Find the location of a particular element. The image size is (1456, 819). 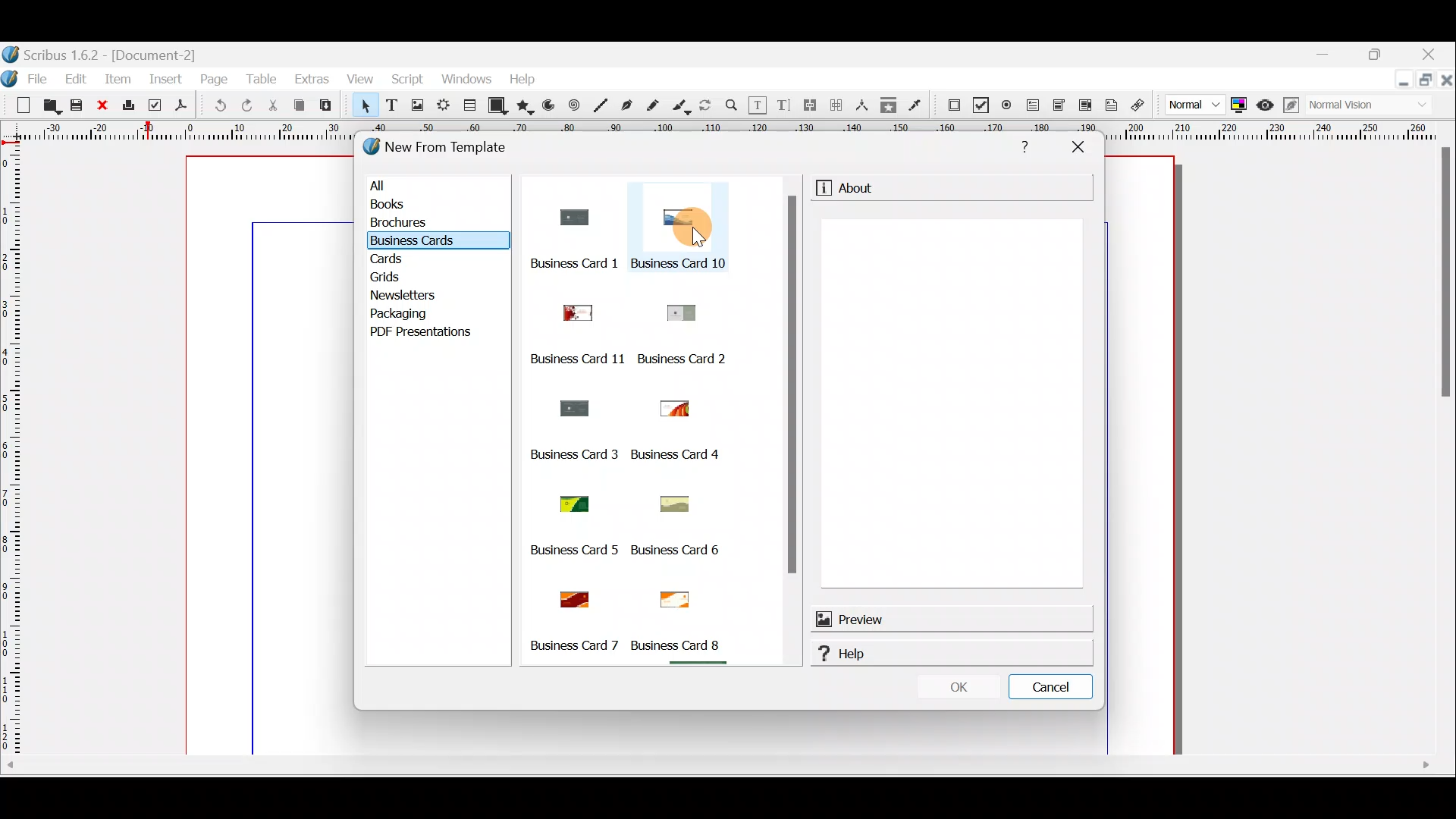

Document name is located at coordinates (108, 52).